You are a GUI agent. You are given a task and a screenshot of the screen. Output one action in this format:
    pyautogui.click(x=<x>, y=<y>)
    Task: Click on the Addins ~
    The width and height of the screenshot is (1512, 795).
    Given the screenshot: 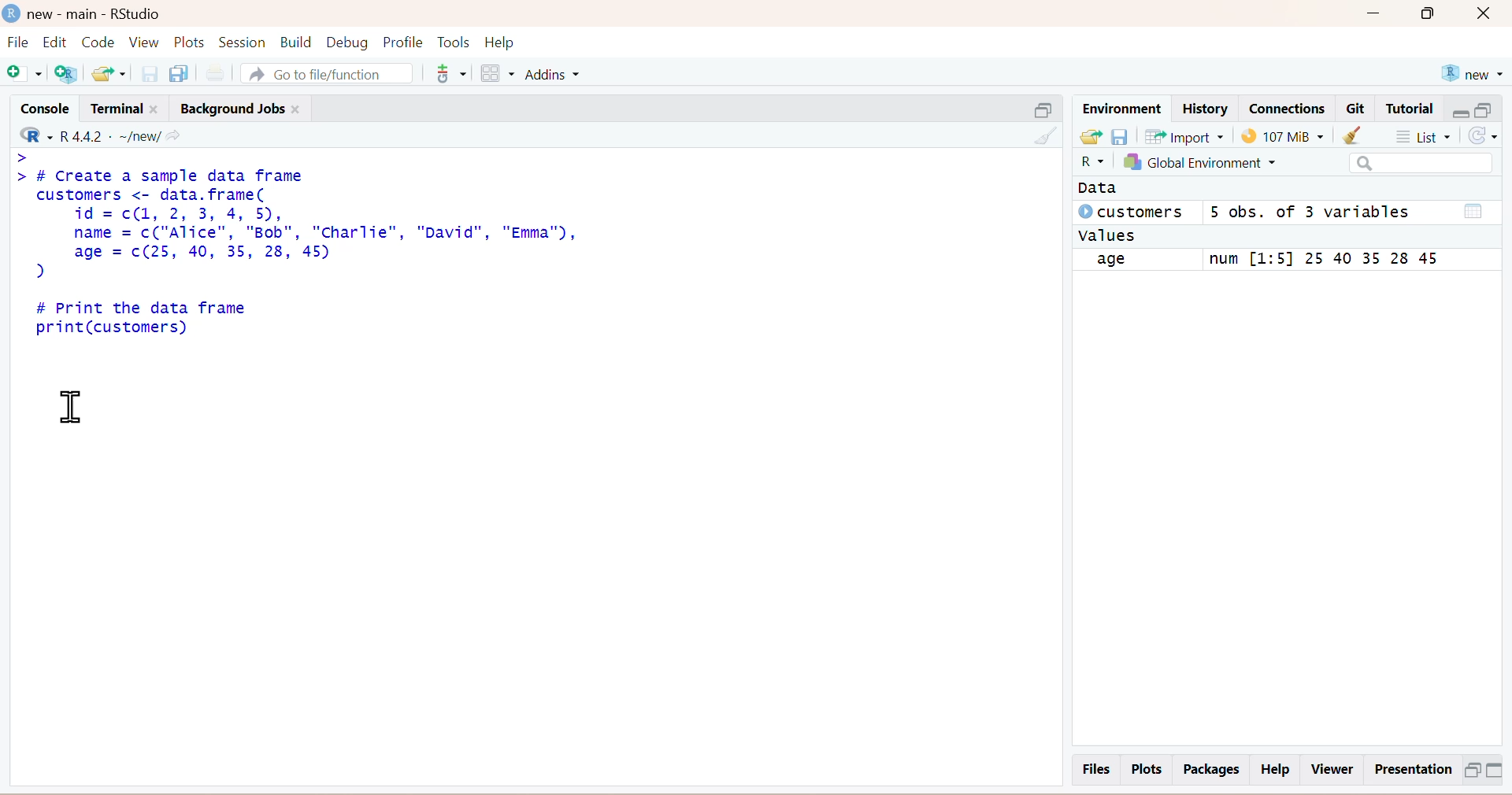 What is the action you would take?
    pyautogui.click(x=554, y=75)
    